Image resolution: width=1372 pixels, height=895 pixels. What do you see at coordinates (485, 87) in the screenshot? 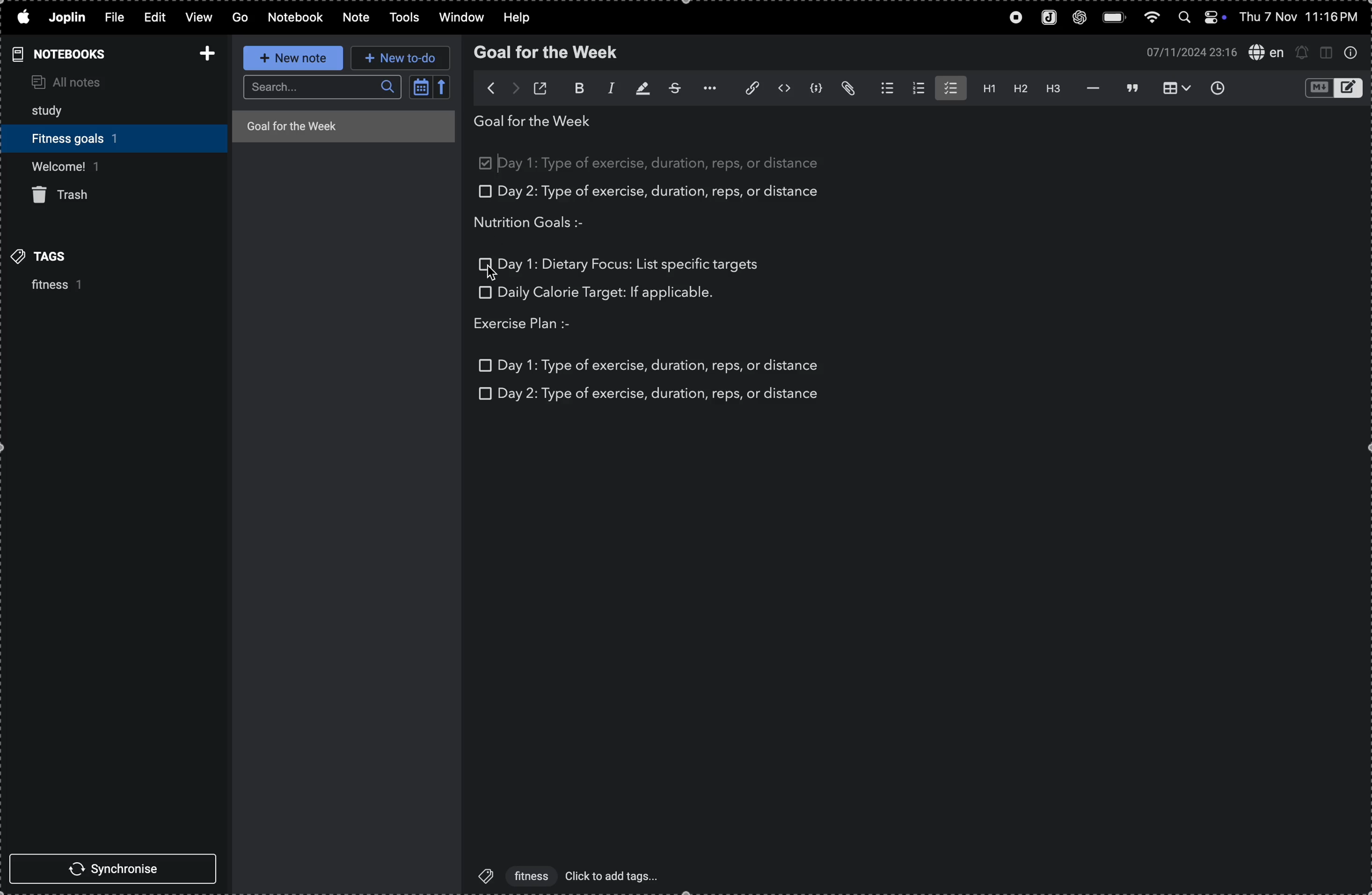
I see `back` at bounding box center [485, 87].